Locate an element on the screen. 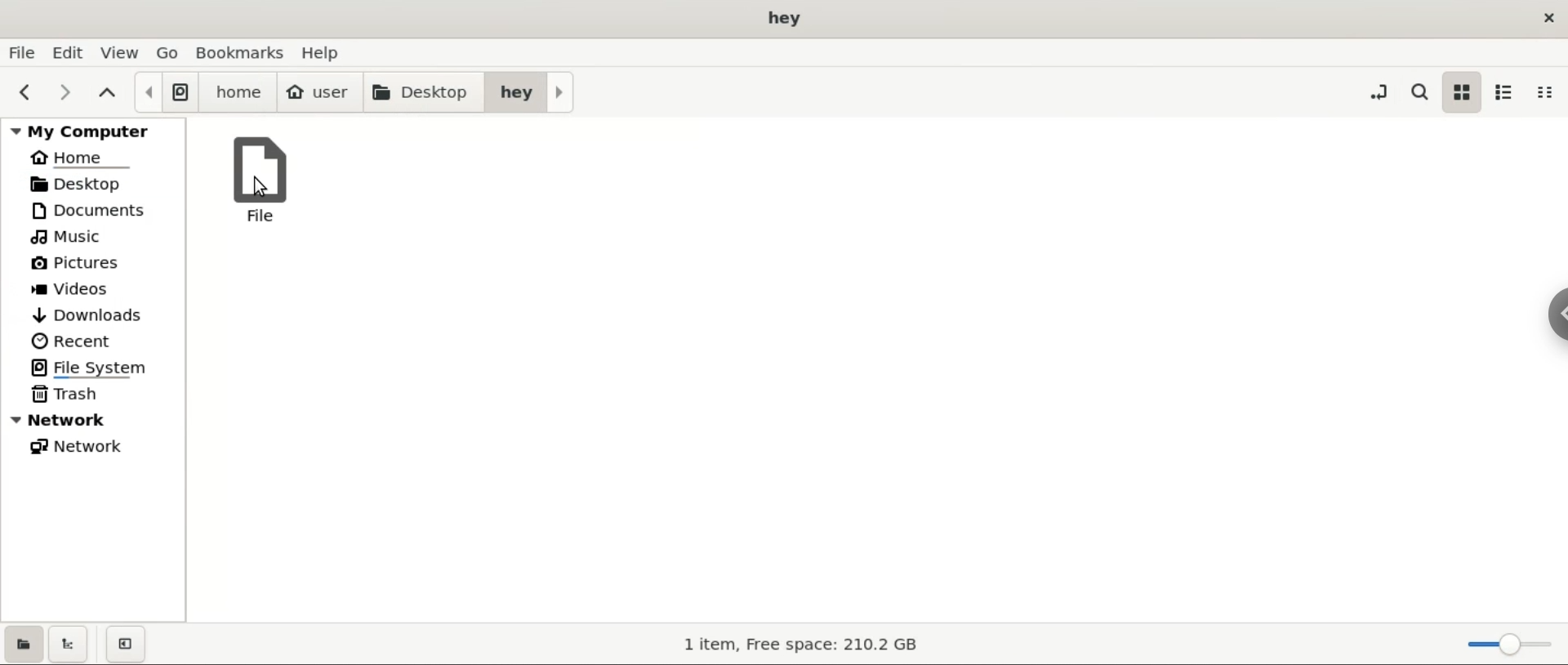  parent folders is located at coordinates (109, 92).